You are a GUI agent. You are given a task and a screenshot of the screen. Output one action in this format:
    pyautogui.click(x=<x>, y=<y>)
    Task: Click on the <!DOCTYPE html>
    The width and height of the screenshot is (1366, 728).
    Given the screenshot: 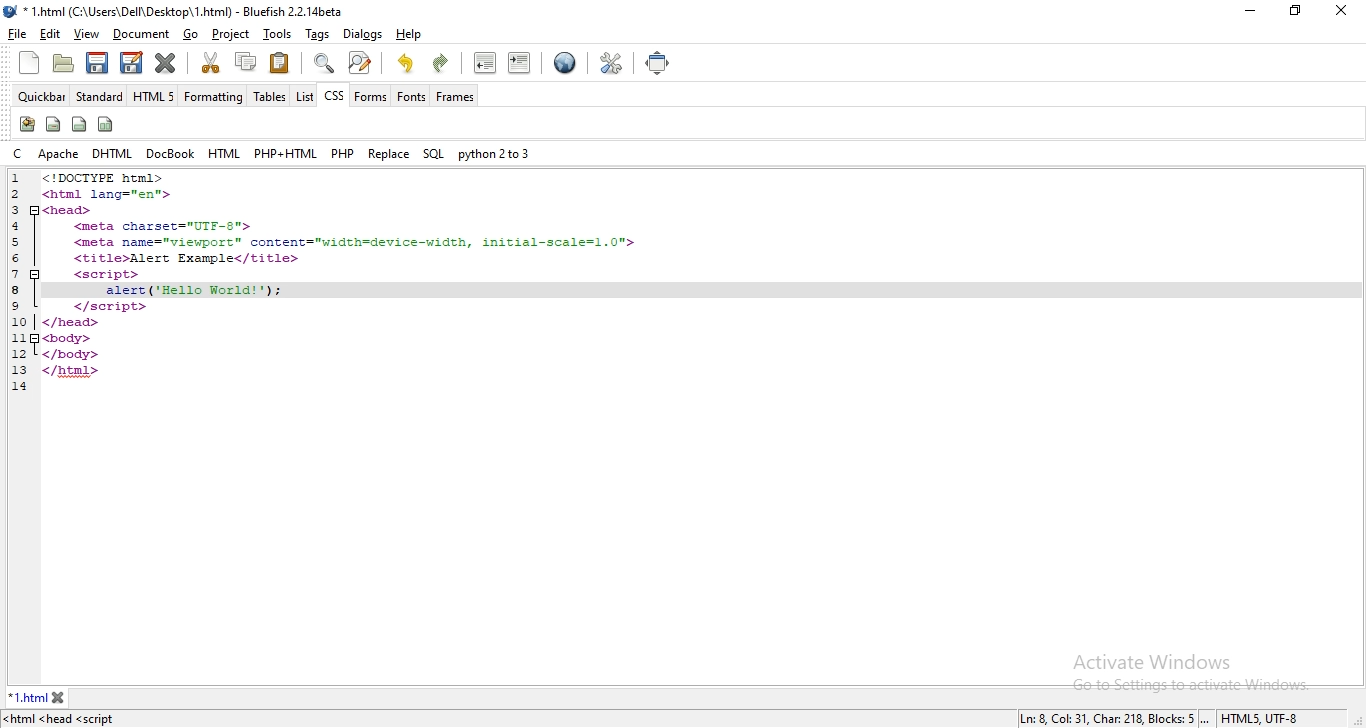 What is the action you would take?
    pyautogui.click(x=103, y=178)
    